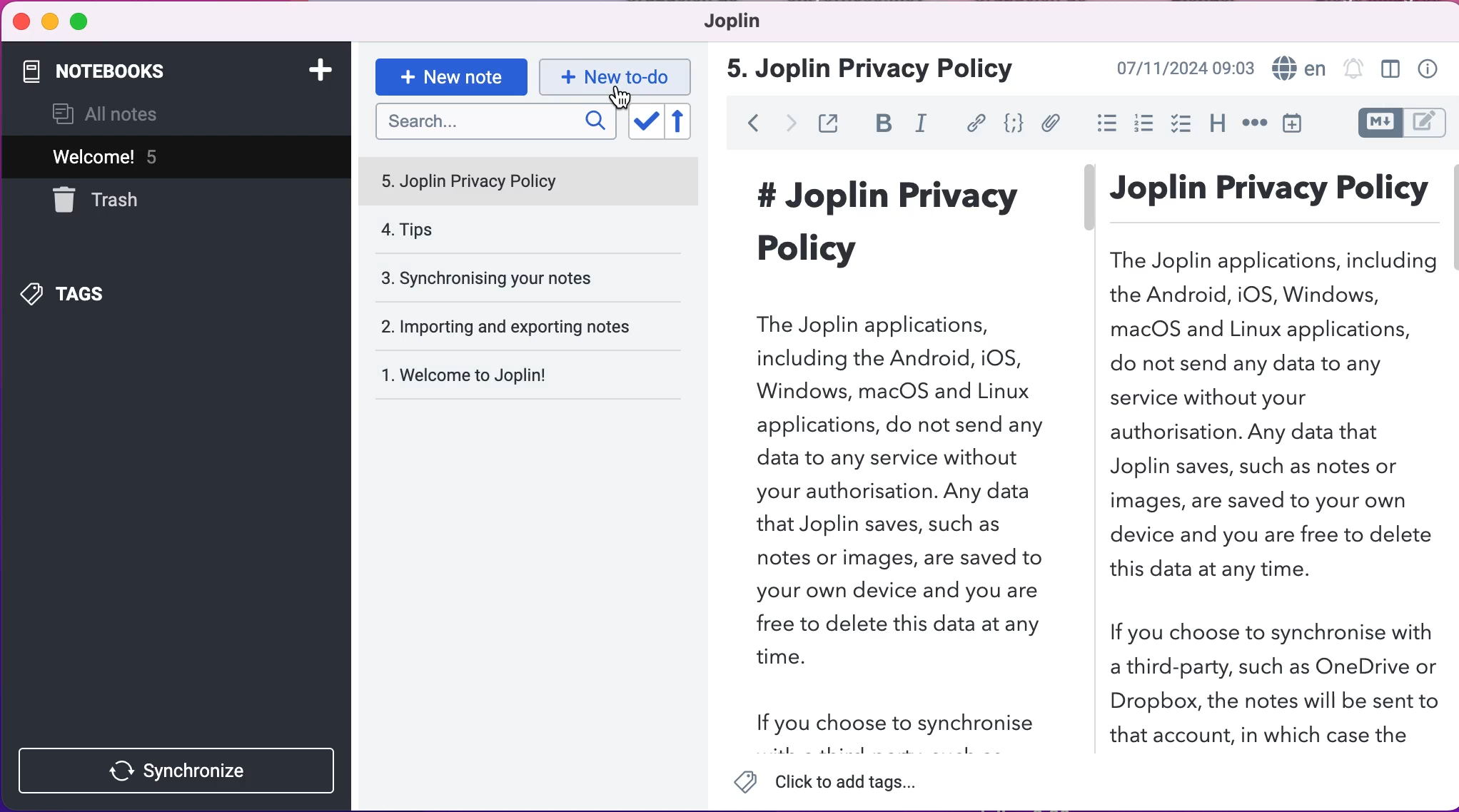 The image size is (1459, 812). I want to click on insert time, so click(1298, 126).